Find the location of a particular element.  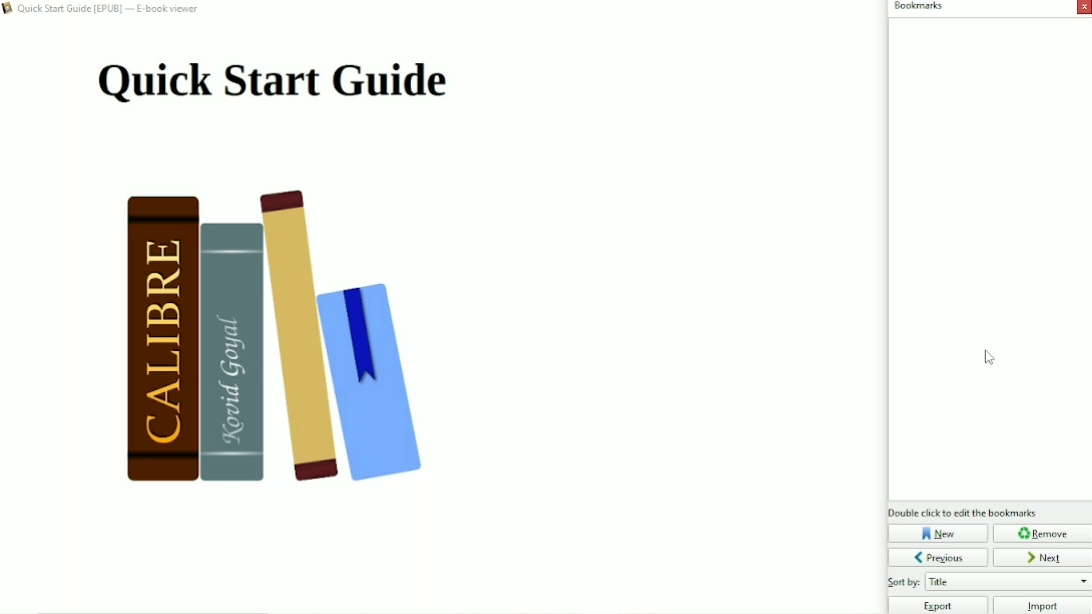

Remove is located at coordinates (1044, 534).